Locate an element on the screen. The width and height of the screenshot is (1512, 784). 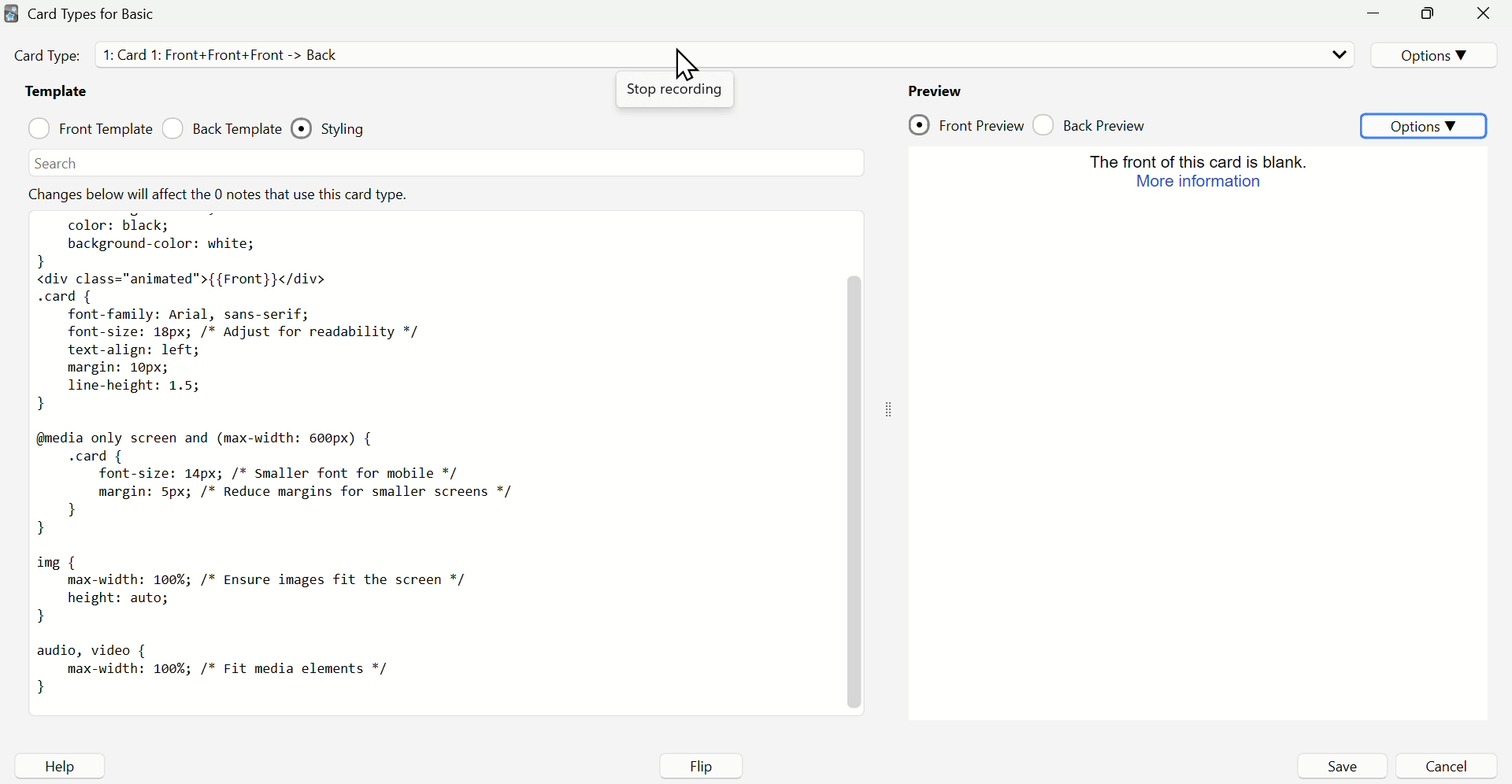
Code is located at coordinates (435, 446).